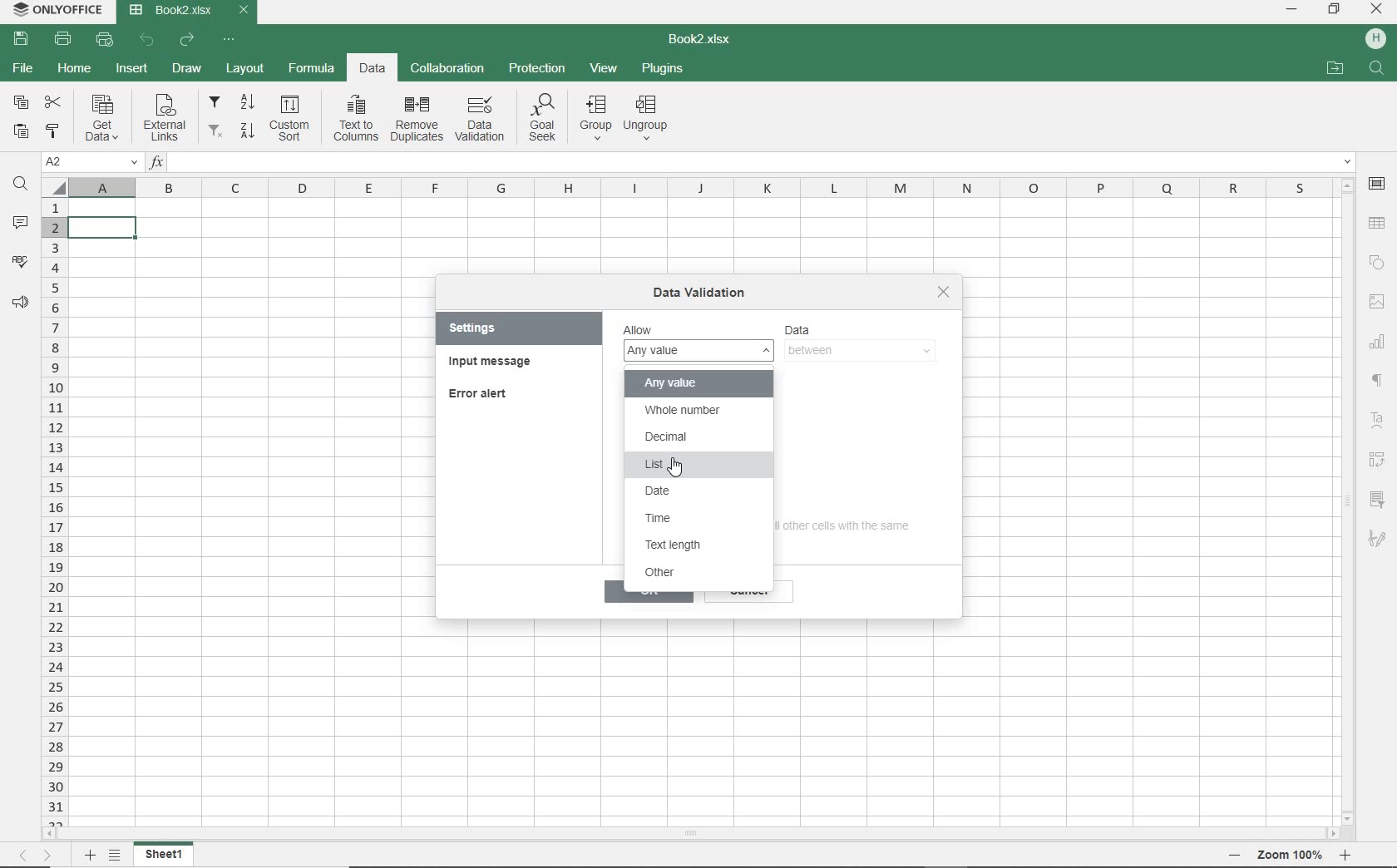  I want to click on FILE, so click(23, 68).